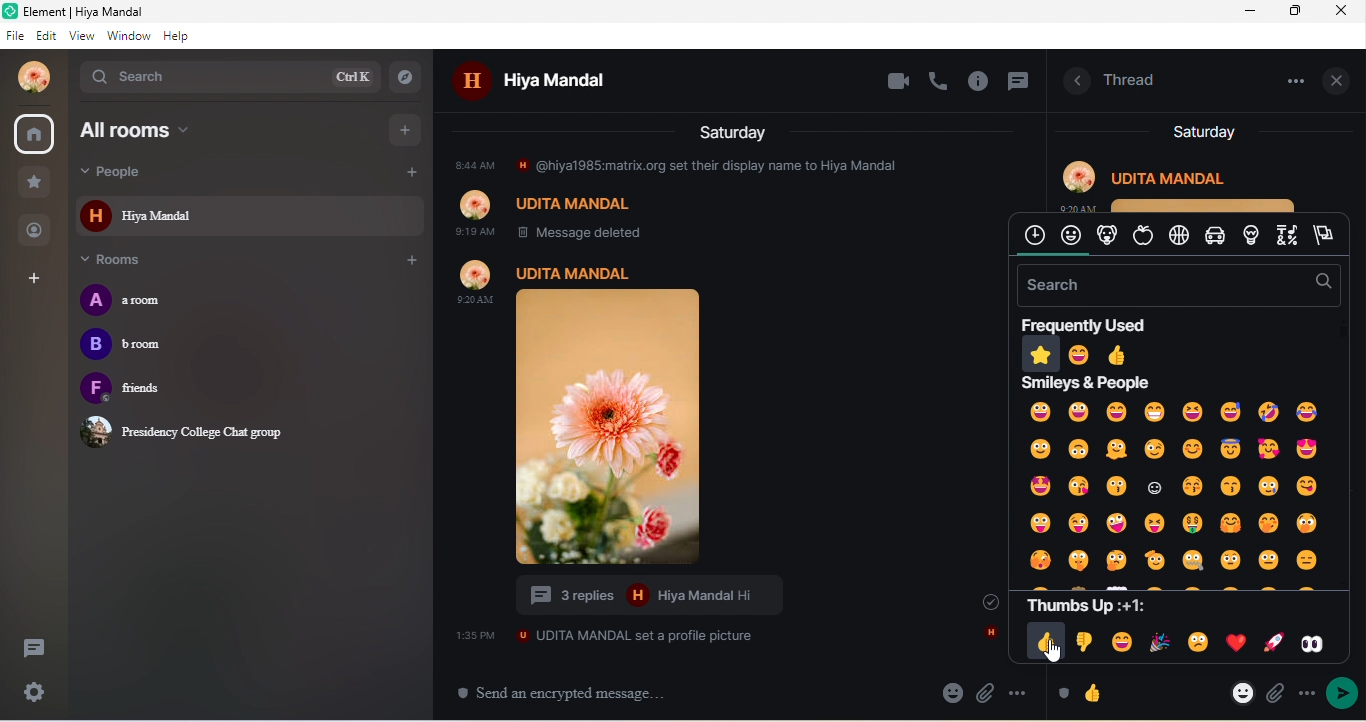 Image resolution: width=1366 pixels, height=722 pixels. I want to click on maximize, so click(1297, 11).